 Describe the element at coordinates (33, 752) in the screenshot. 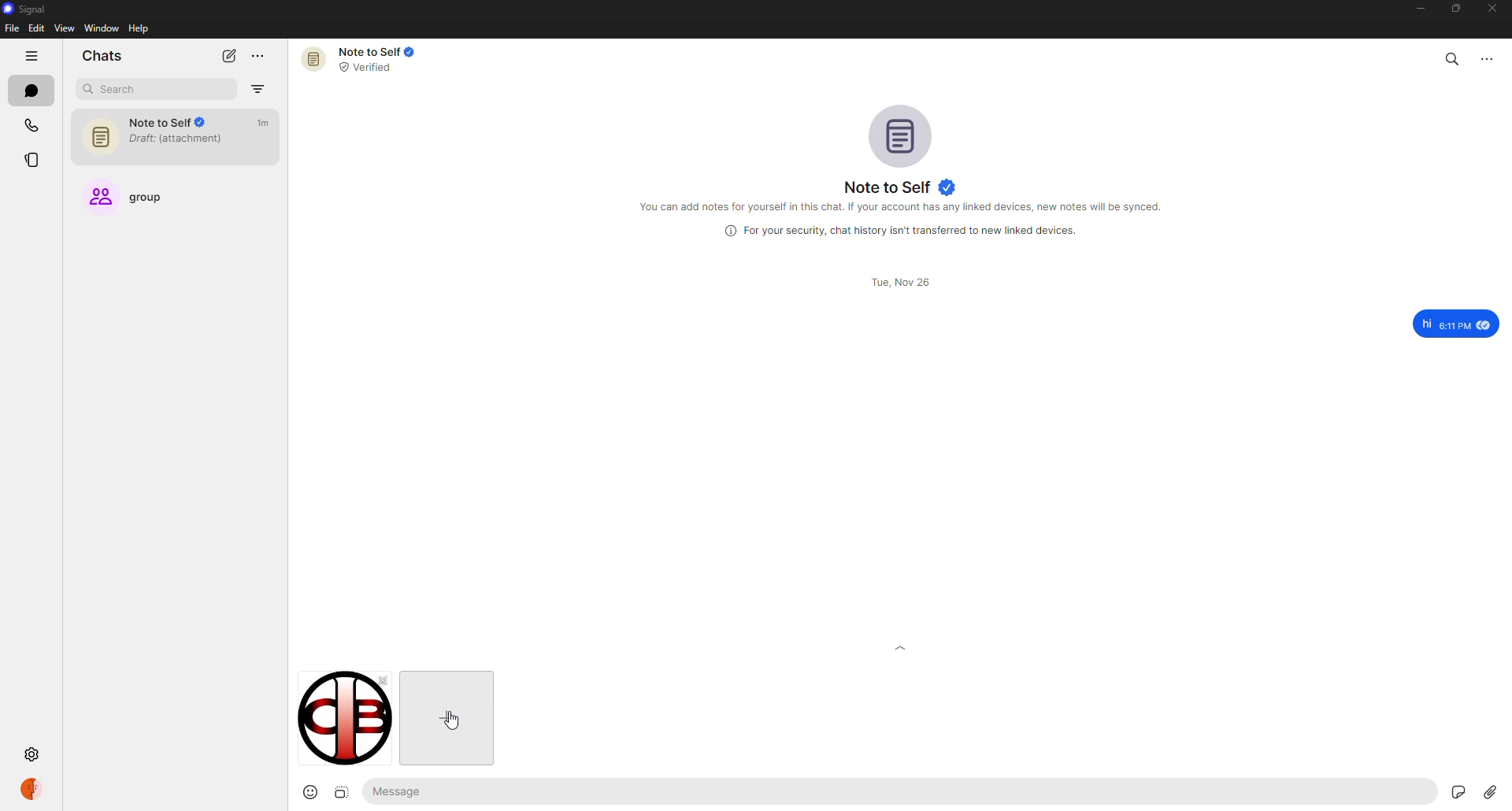

I see `settings` at that location.